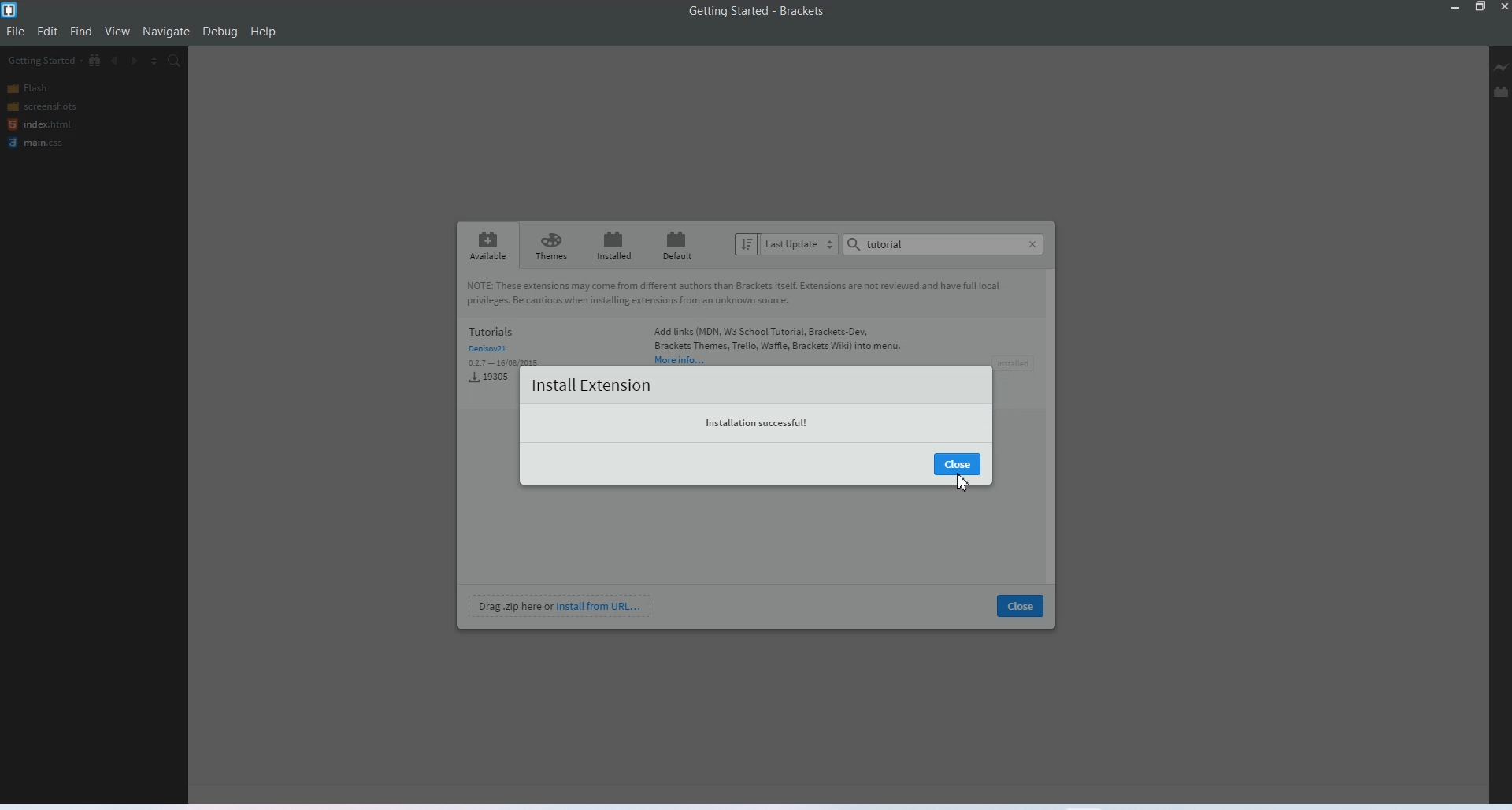 This screenshot has width=1512, height=810. What do you see at coordinates (47, 32) in the screenshot?
I see `Edit` at bounding box center [47, 32].